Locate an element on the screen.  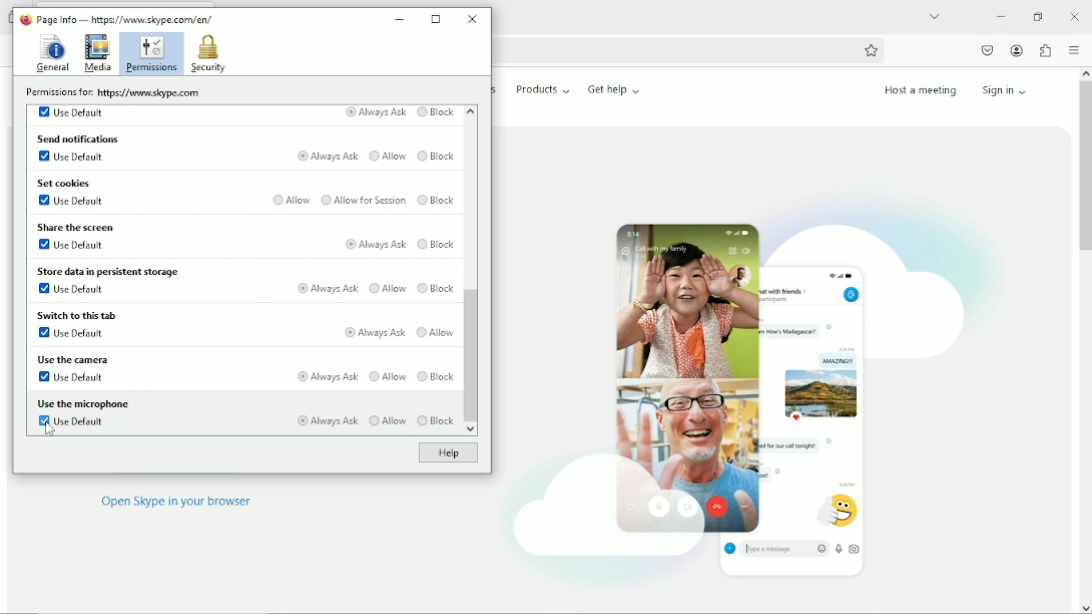
Use default is located at coordinates (74, 112).